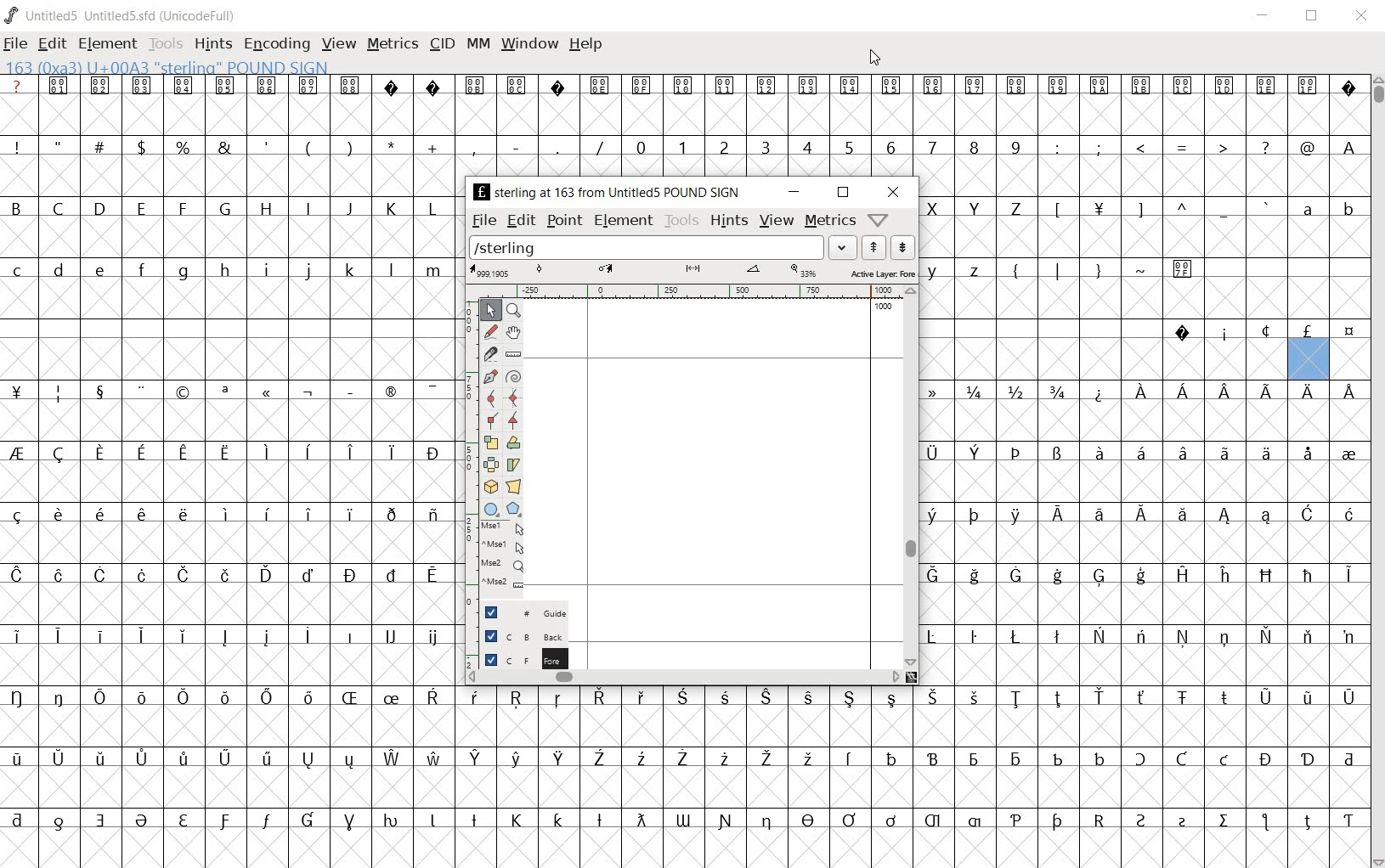  What do you see at coordinates (433, 85) in the screenshot?
I see `Symbol` at bounding box center [433, 85].